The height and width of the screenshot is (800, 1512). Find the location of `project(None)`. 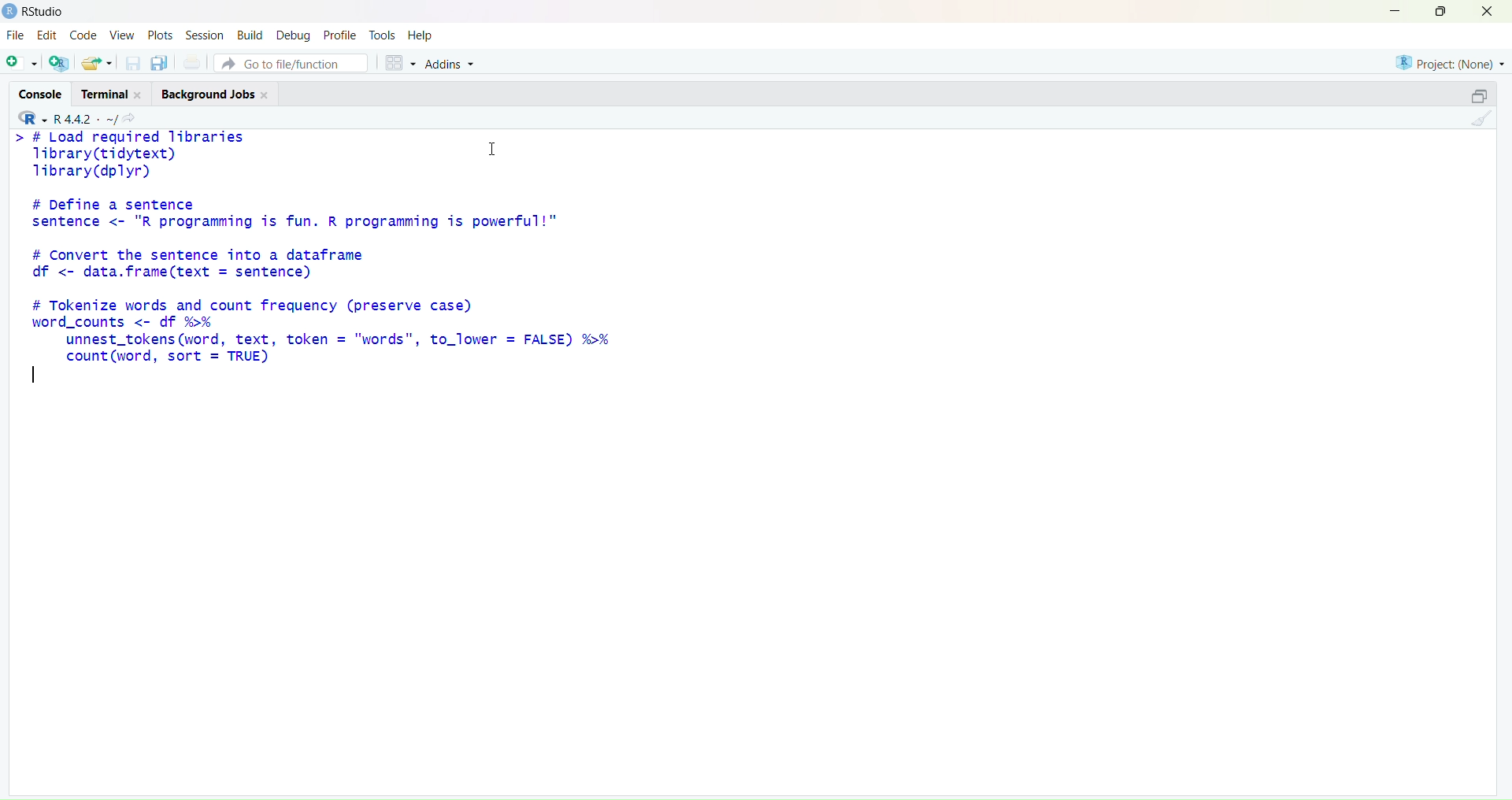

project(None) is located at coordinates (1447, 62).